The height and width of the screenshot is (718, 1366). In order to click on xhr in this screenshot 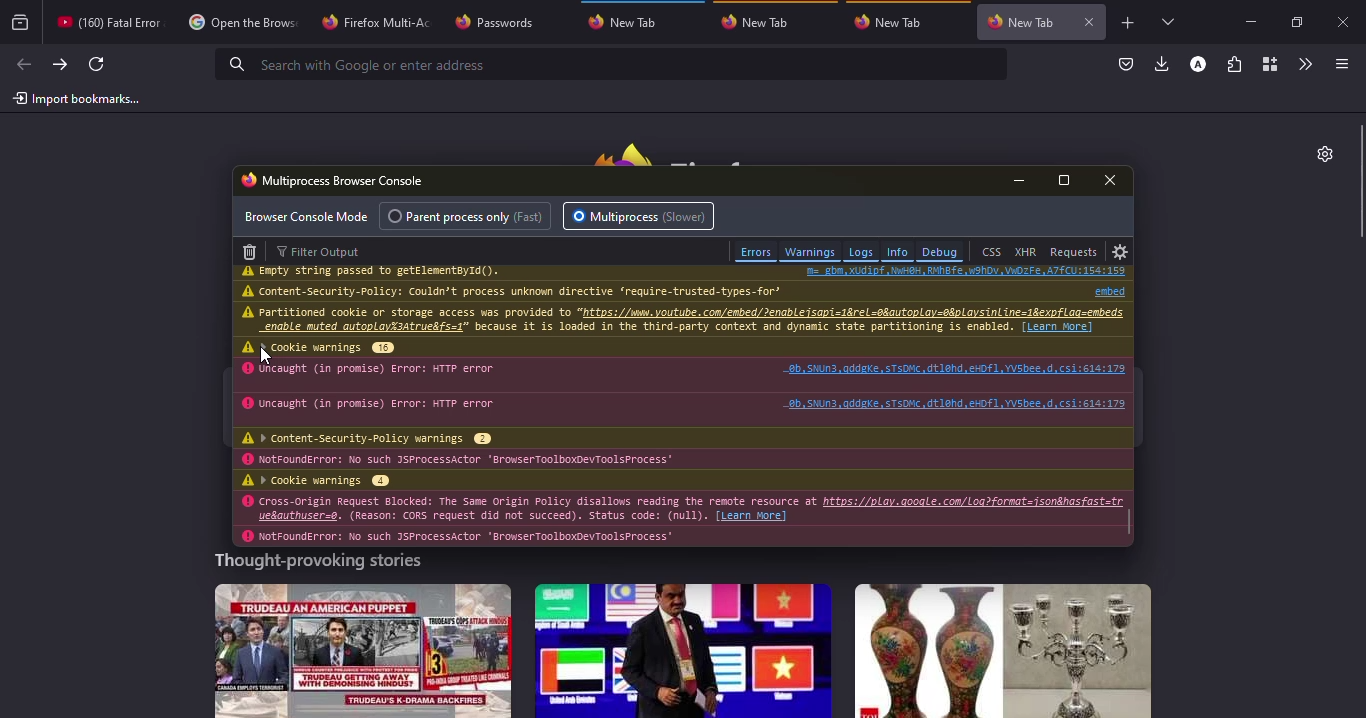, I will do `click(1025, 252)`.